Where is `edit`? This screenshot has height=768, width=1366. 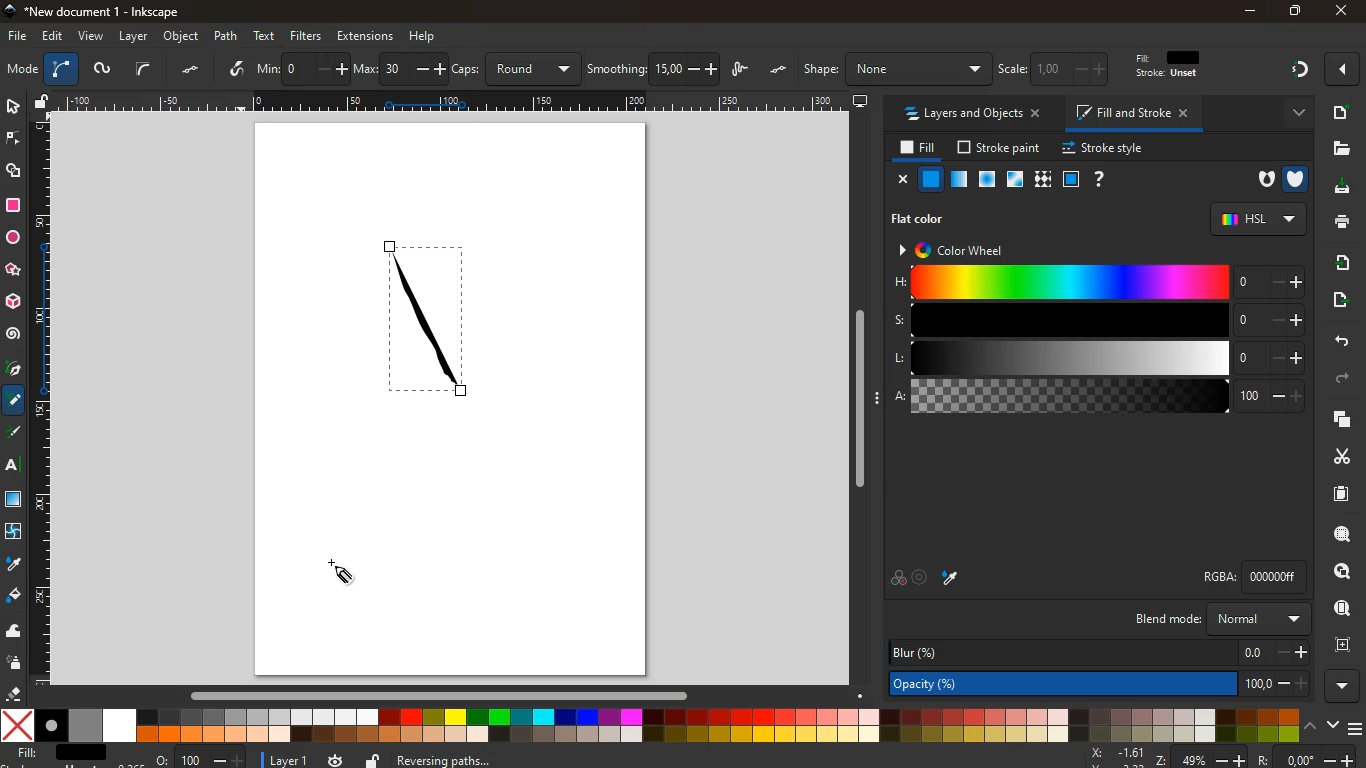
edit is located at coordinates (54, 36).